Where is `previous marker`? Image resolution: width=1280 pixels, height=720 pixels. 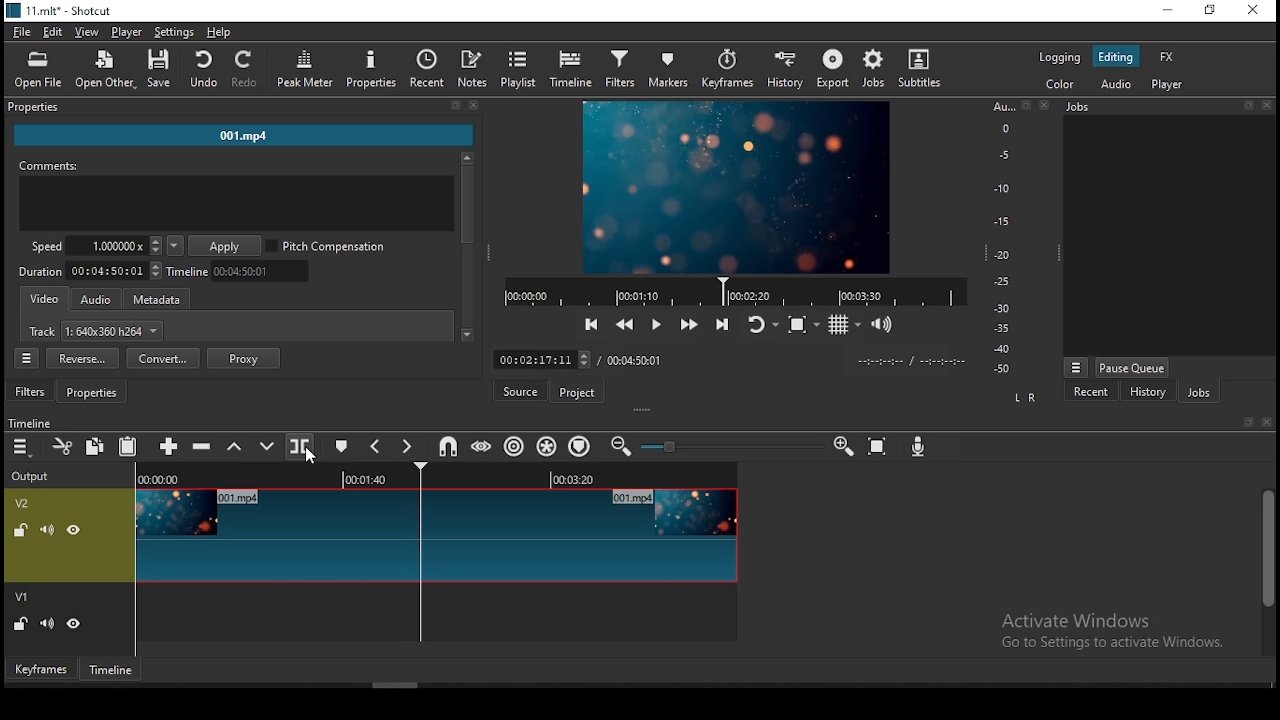 previous marker is located at coordinates (375, 446).